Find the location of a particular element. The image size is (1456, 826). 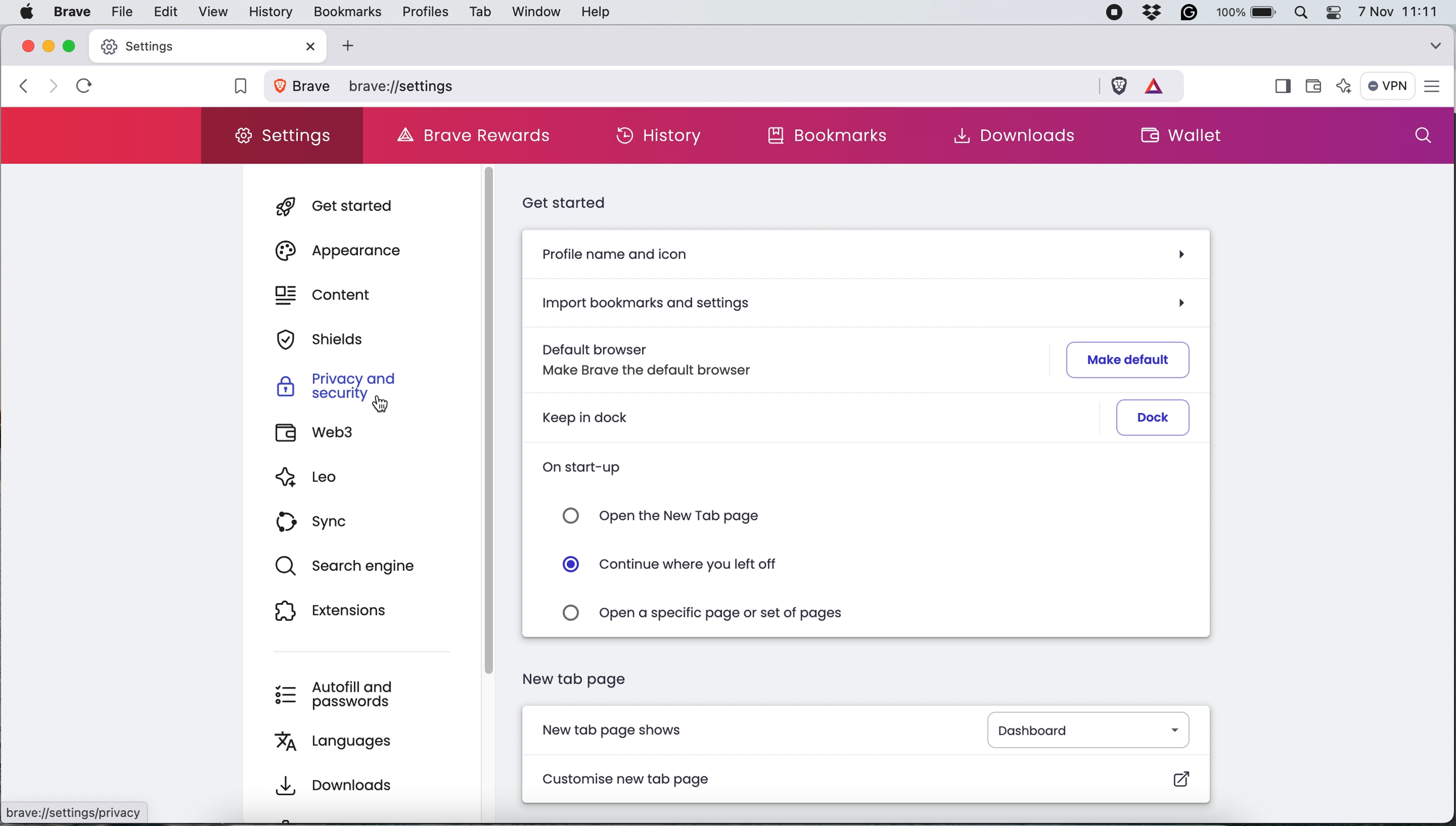

autofill and passwords is located at coordinates (341, 695).